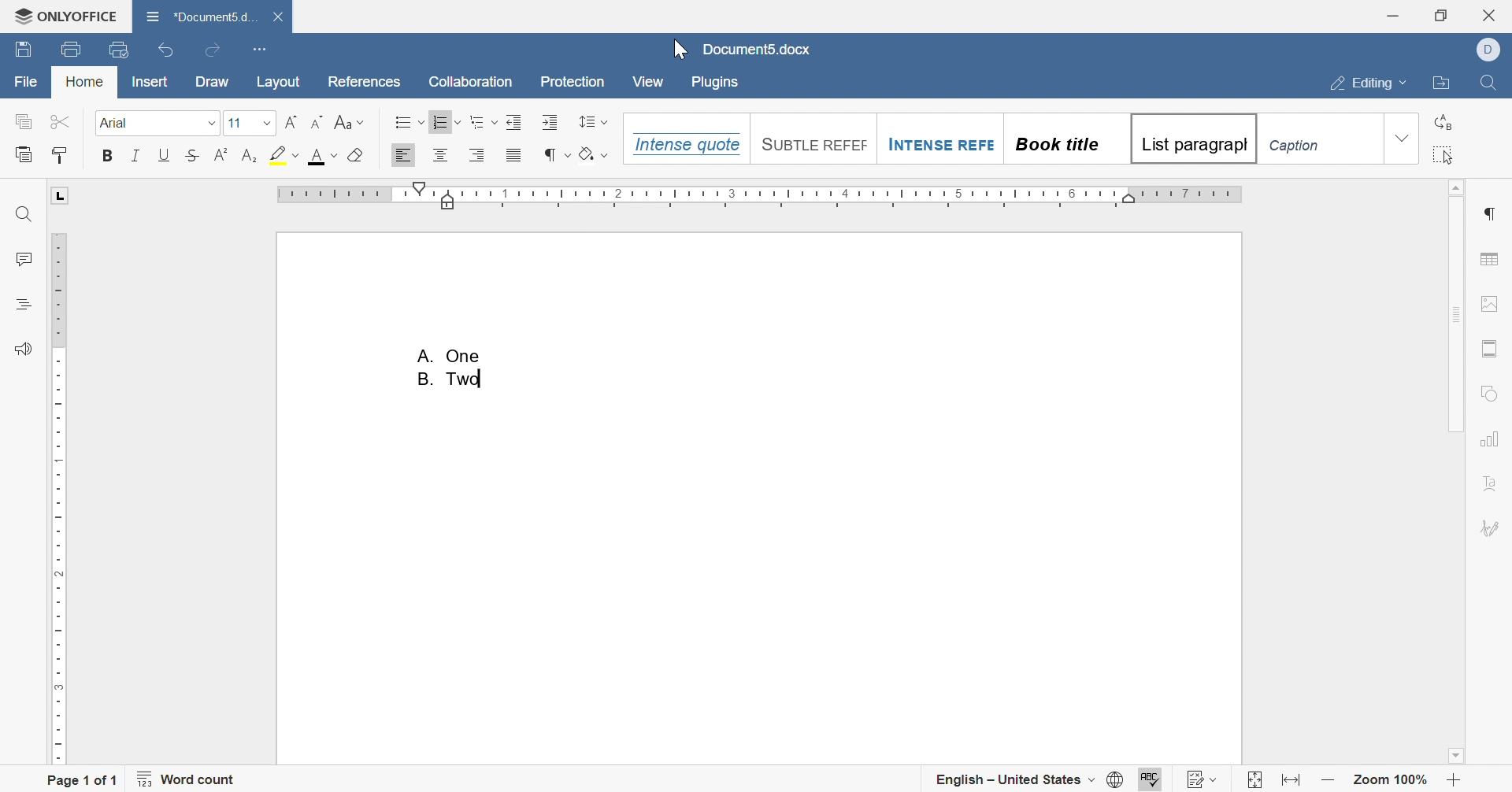  Describe the element at coordinates (595, 153) in the screenshot. I see `shading` at that location.